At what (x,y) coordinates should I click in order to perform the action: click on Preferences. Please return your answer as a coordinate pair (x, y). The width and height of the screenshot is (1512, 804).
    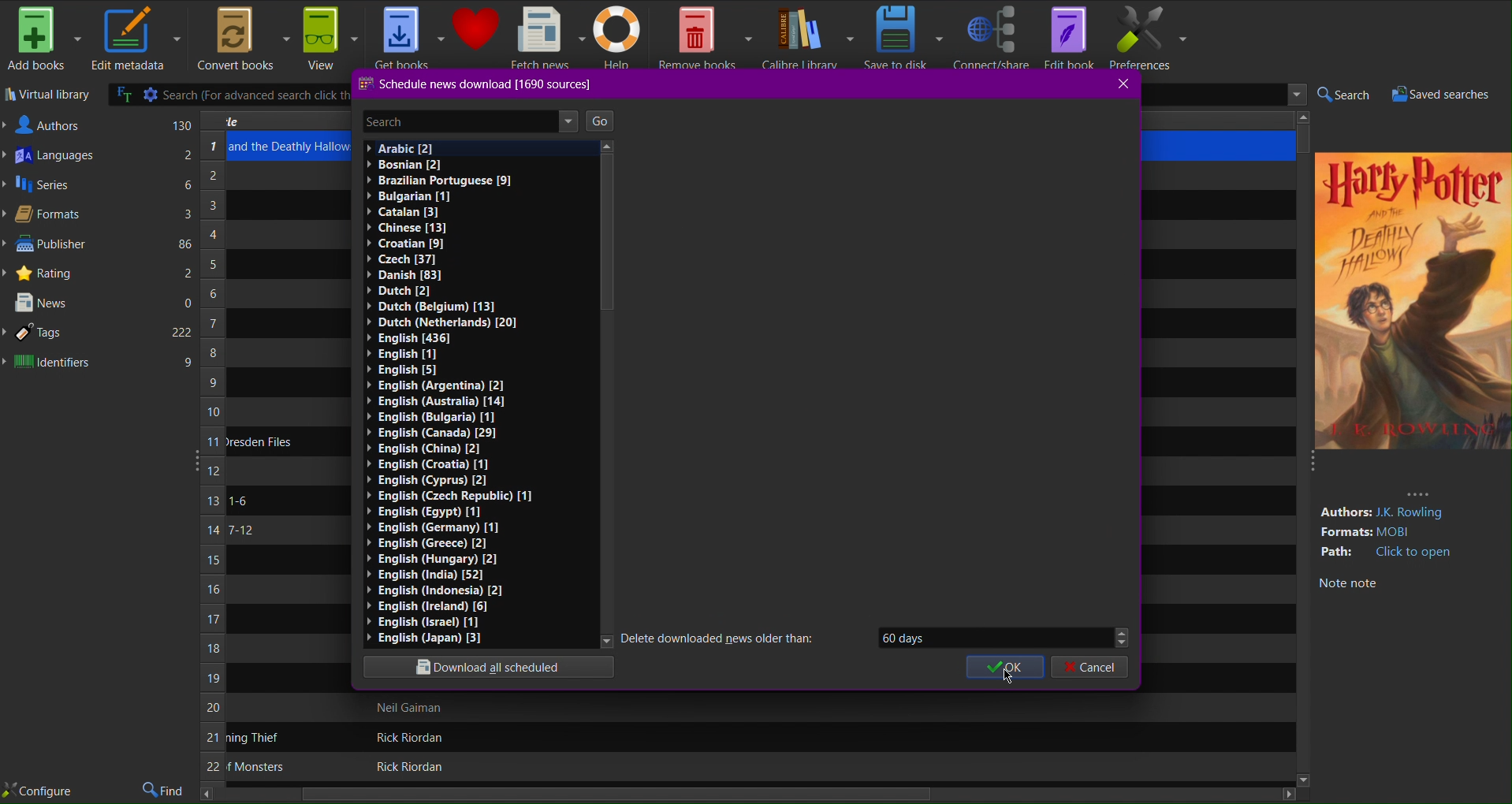
    Looking at the image, I should click on (1149, 38).